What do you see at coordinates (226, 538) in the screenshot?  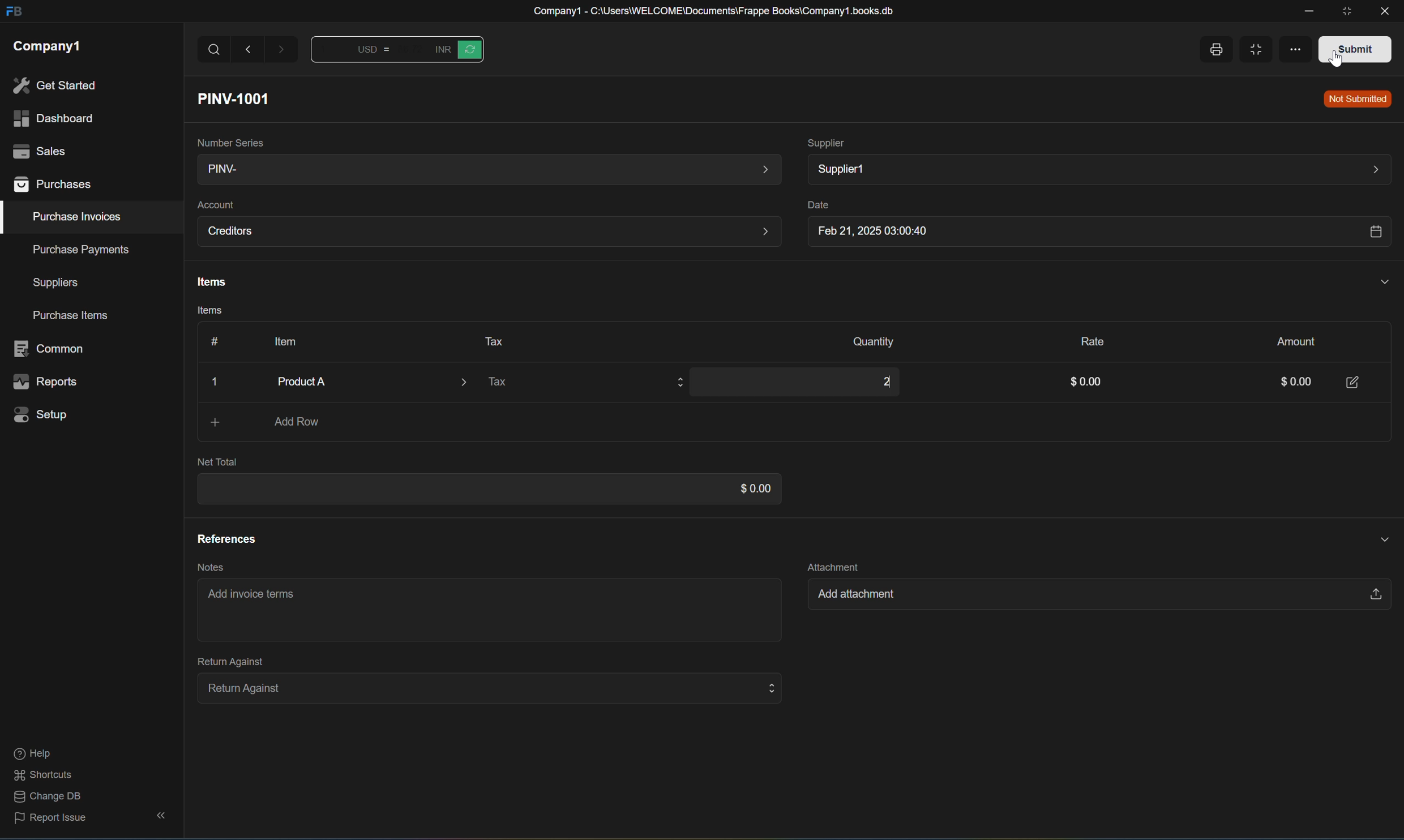 I see `References` at bounding box center [226, 538].